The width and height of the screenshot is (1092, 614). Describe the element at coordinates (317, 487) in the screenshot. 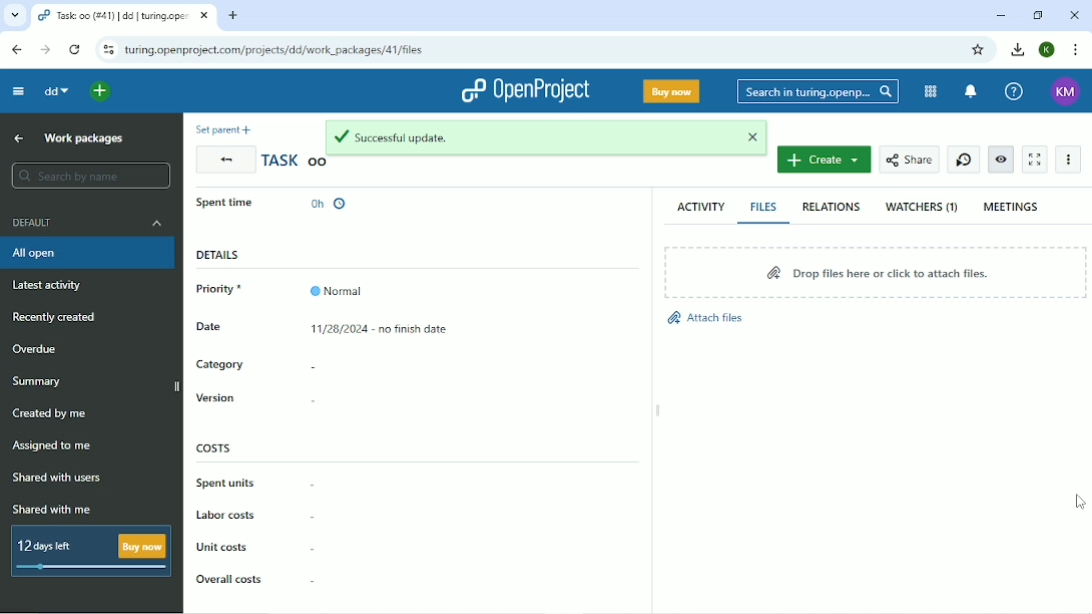

I see `-` at that location.